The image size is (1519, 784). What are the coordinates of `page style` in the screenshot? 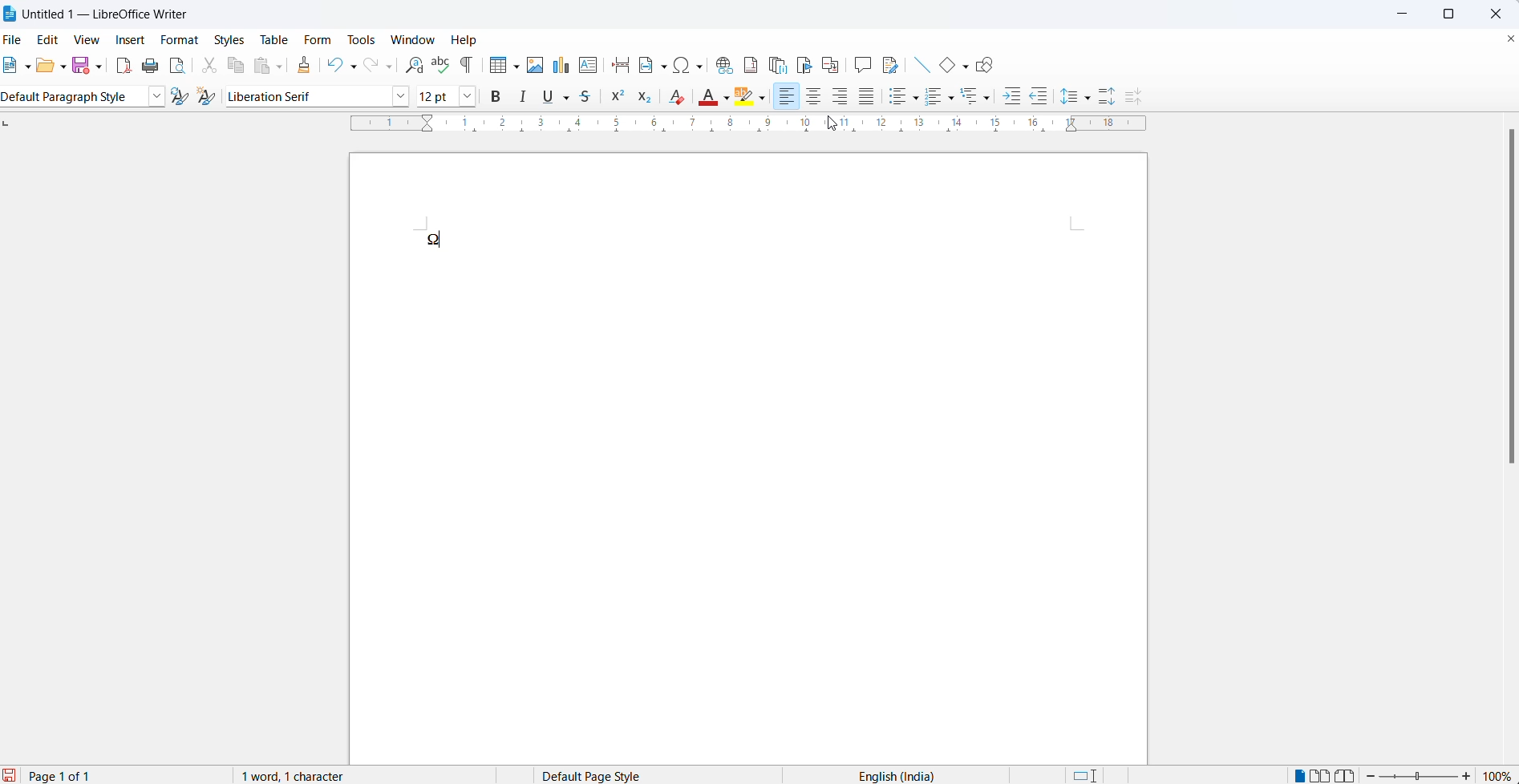 It's located at (612, 774).